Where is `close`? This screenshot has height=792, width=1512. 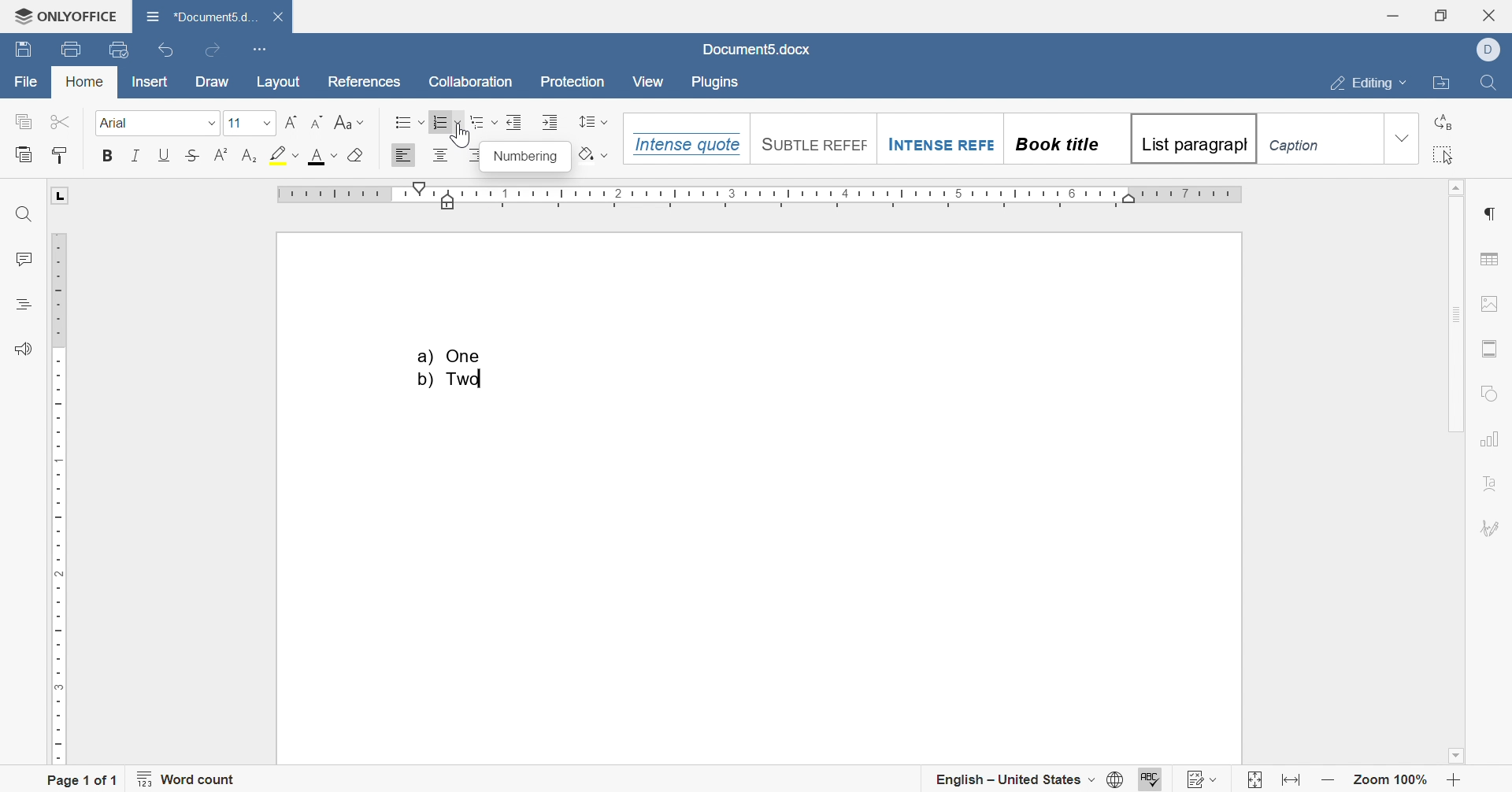
close is located at coordinates (1488, 15).